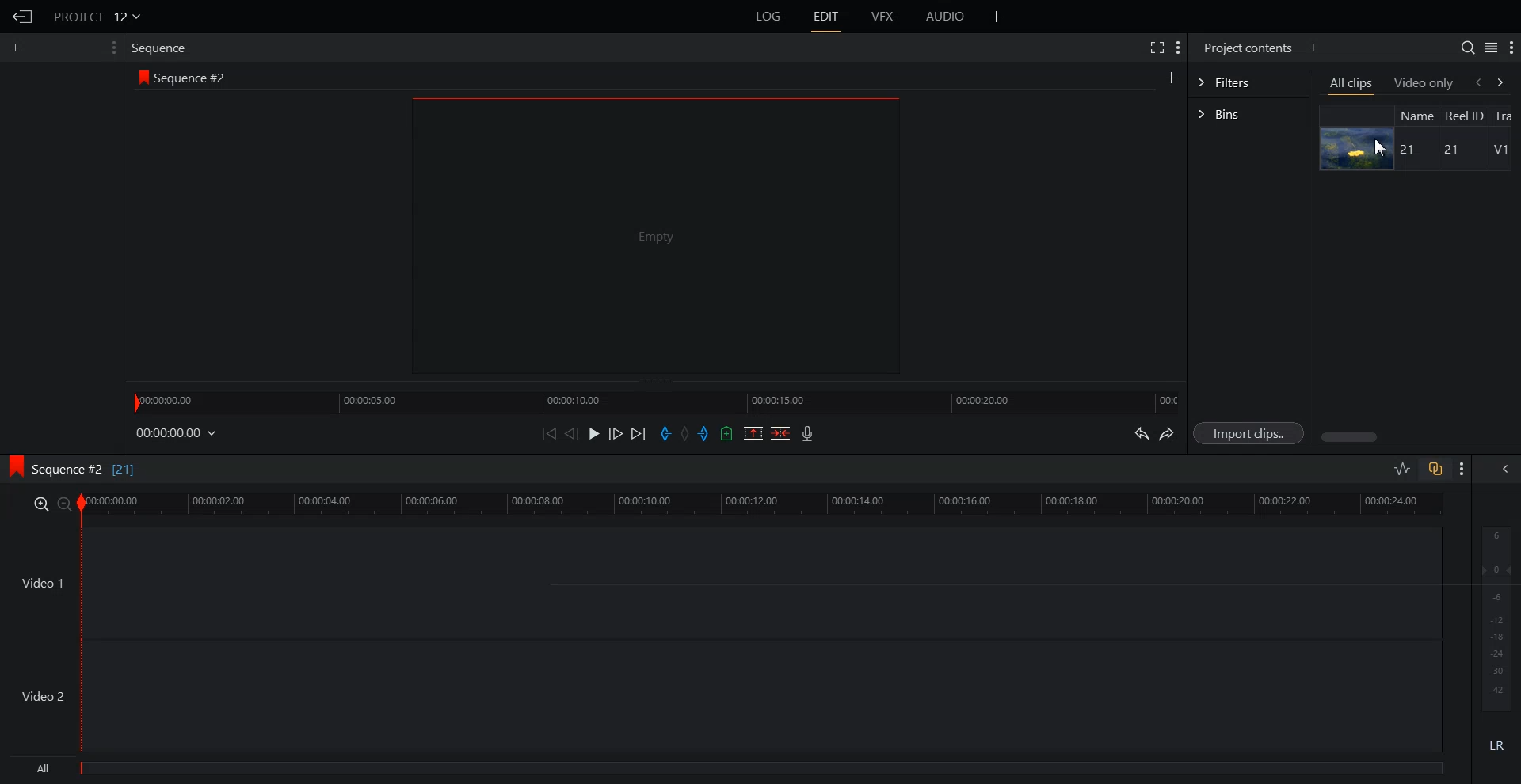 The height and width of the screenshot is (784, 1521). Describe the element at coordinates (594, 433) in the screenshot. I see `Play` at that location.